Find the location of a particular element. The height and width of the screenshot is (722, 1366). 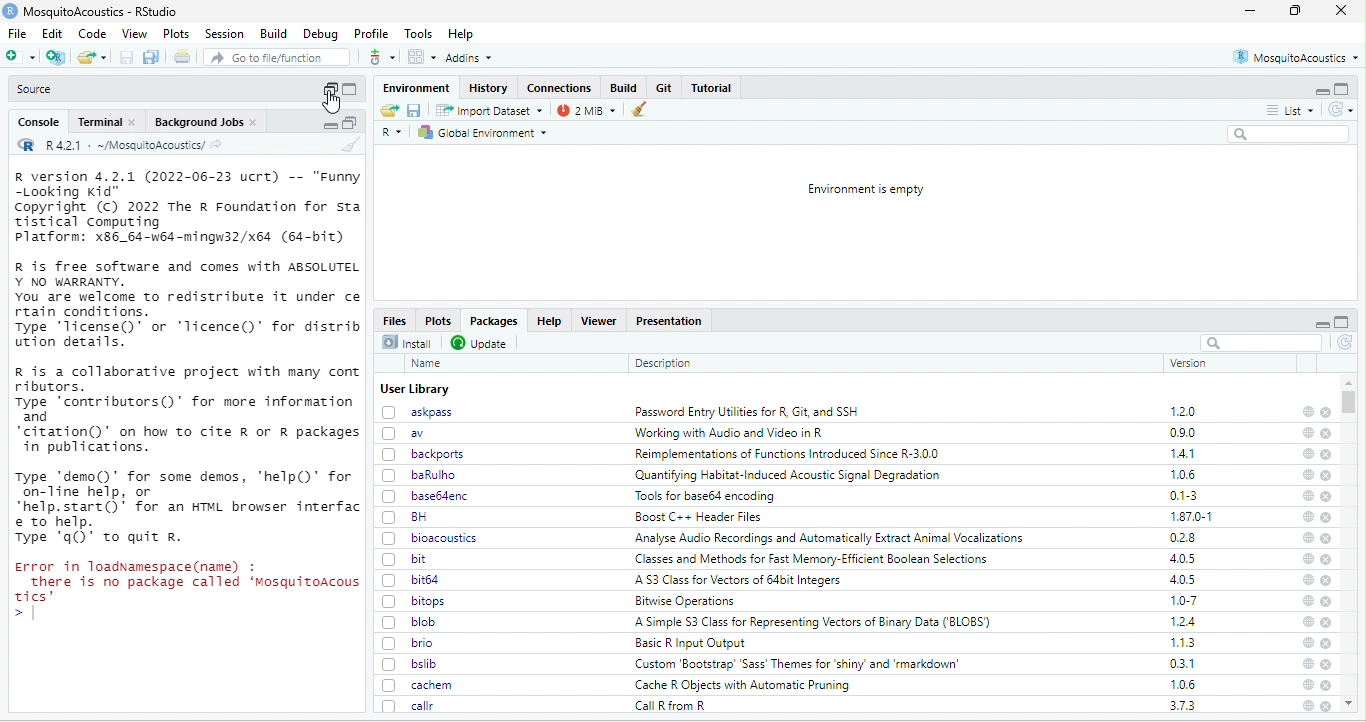

maximize is located at coordinates (1342, 89).